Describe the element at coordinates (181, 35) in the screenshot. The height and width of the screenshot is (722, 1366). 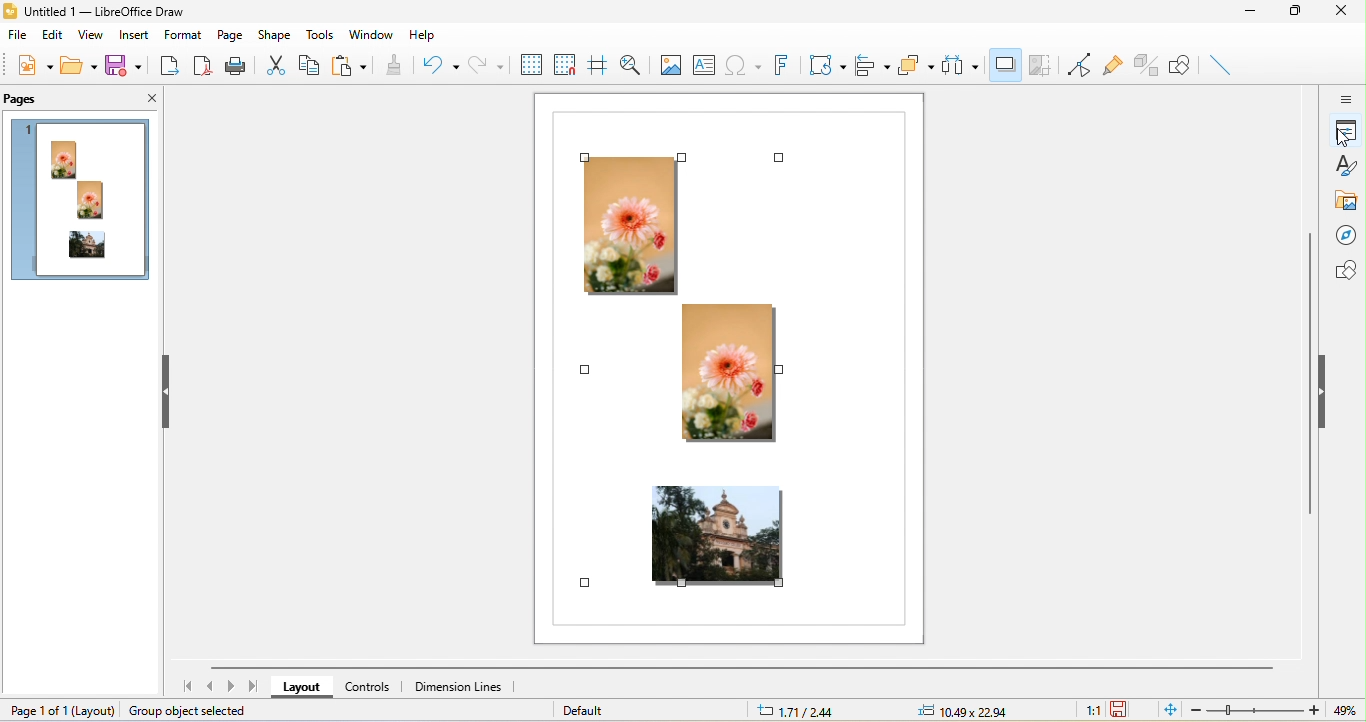
I see `format` at that location.